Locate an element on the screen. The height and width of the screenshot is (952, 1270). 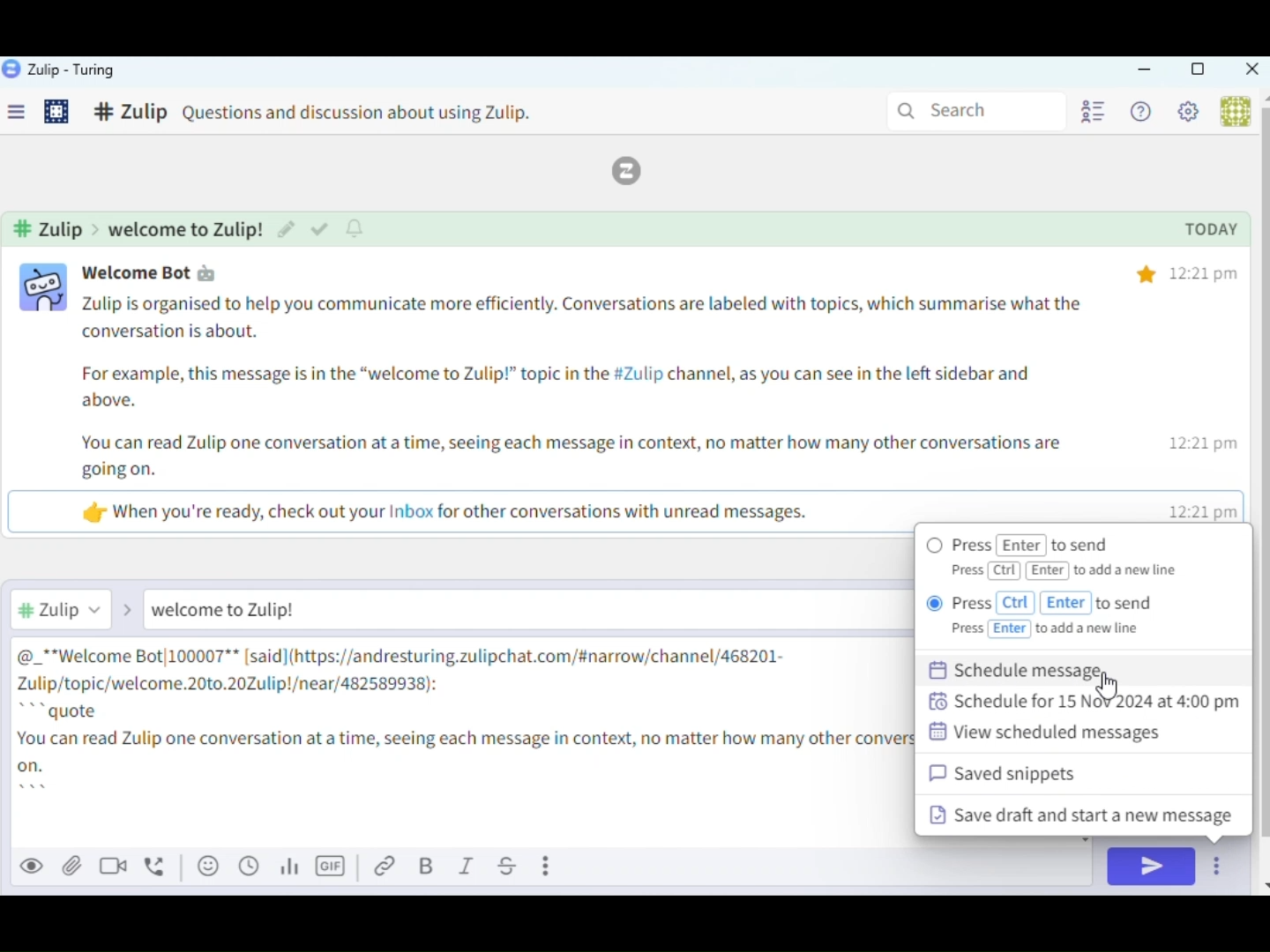
user profile is located at coordinates (45, 288).